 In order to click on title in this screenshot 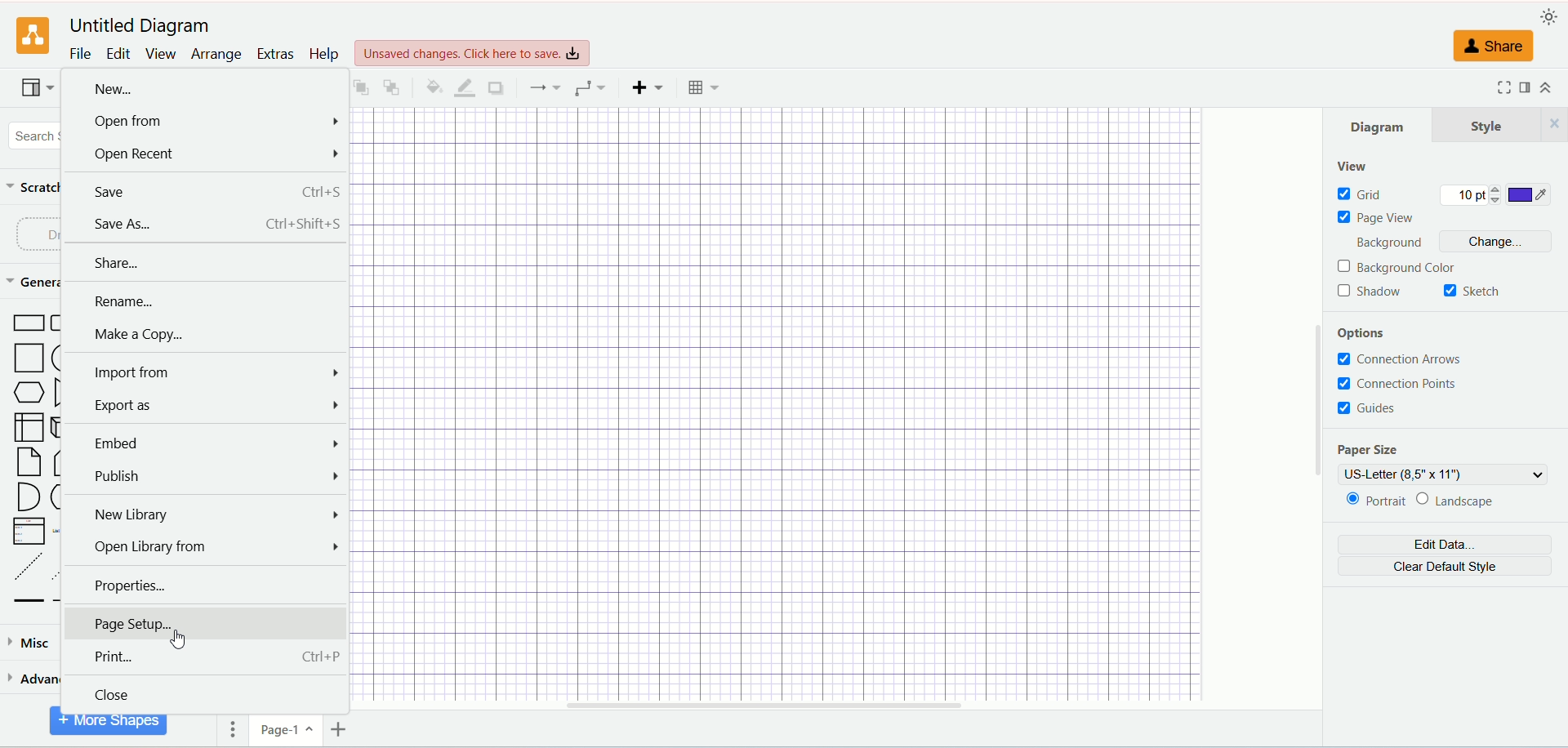, I will do `click(137, 24)`.